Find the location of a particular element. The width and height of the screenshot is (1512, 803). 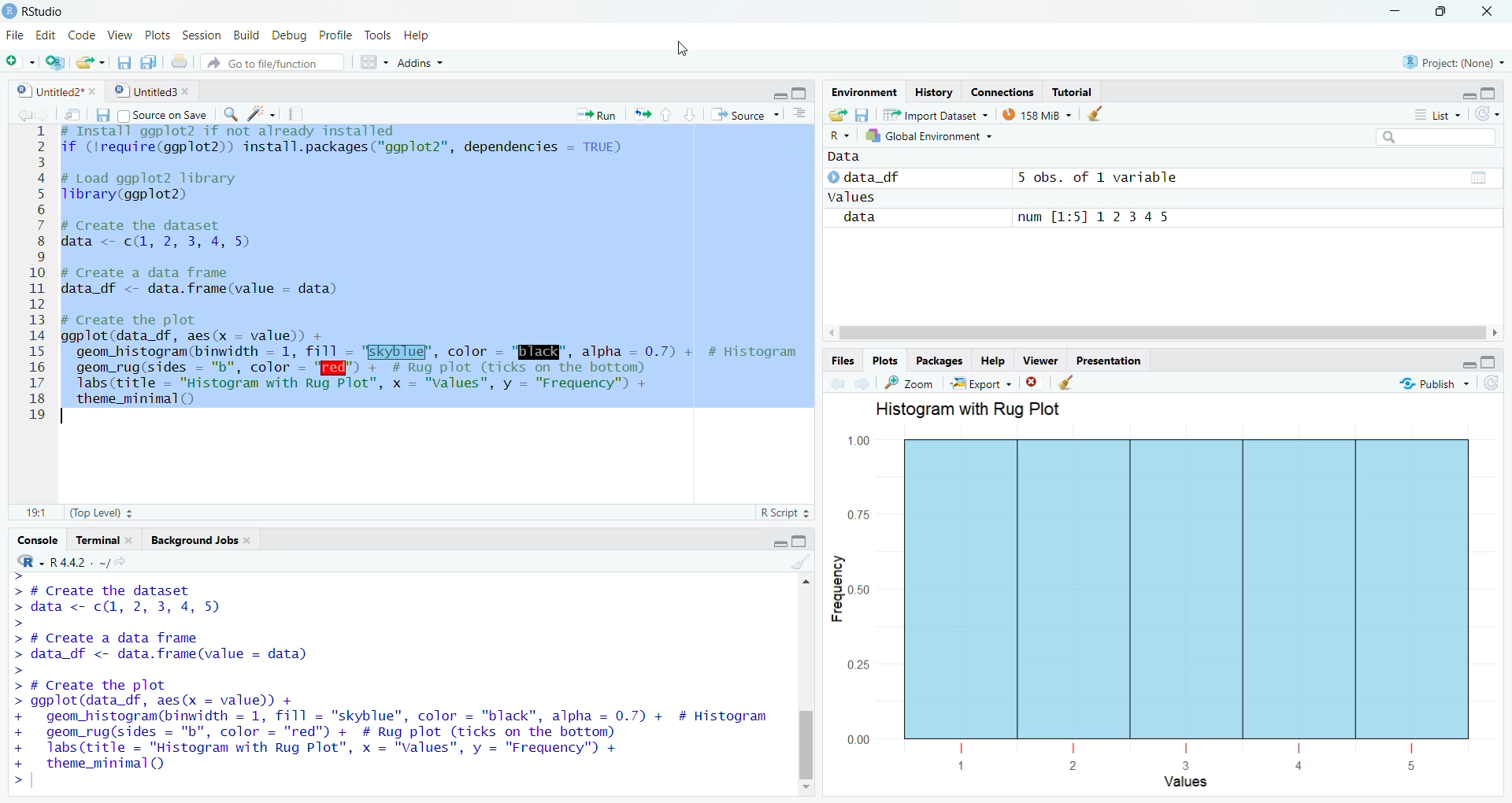

; Tutorial is located at coordinates (1083, 90).